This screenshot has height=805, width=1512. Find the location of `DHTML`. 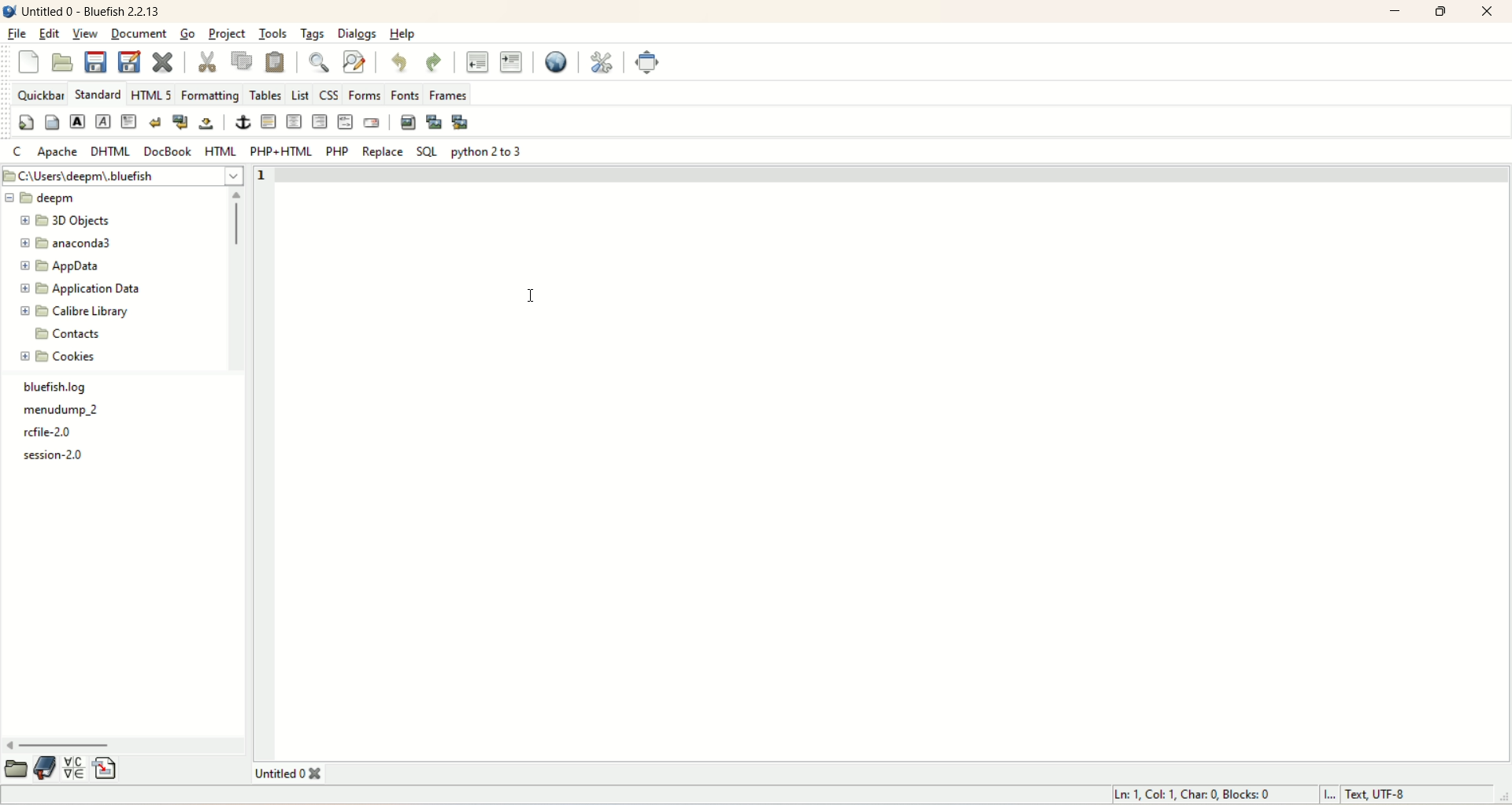

DHTML is located at coordinates (111, 150).